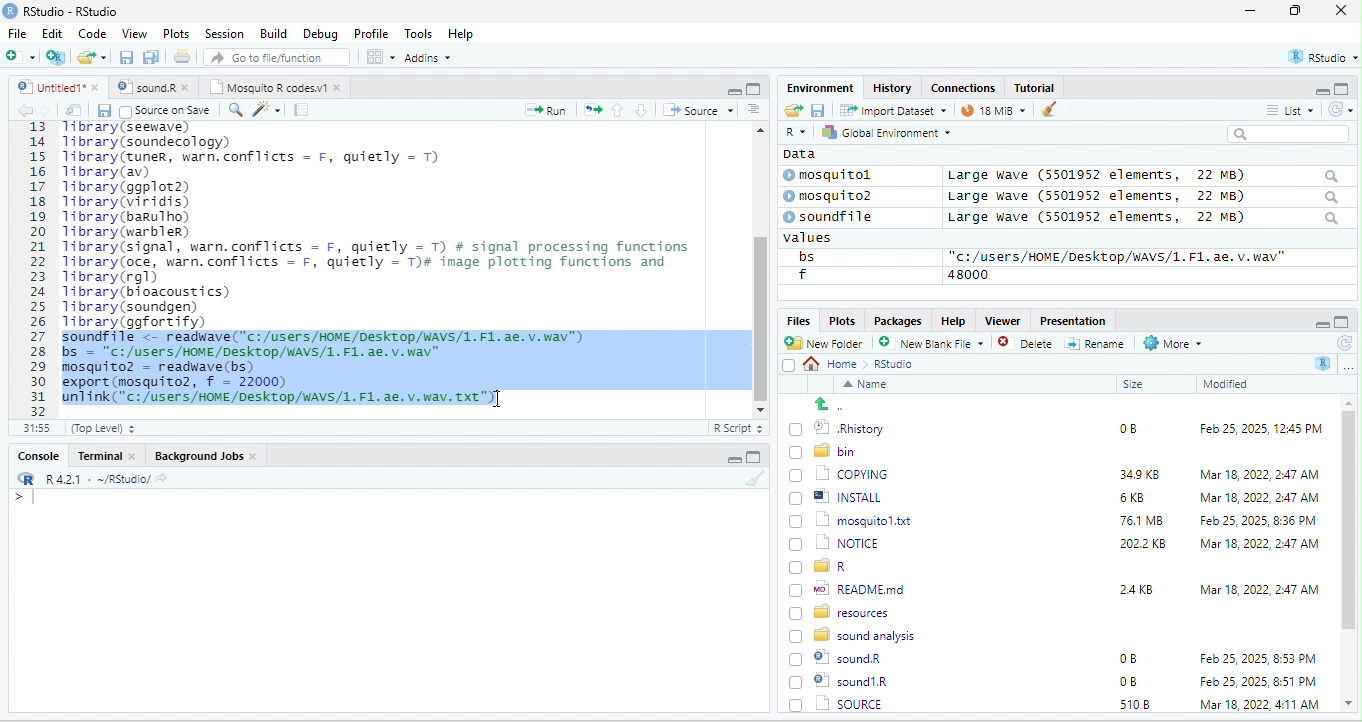 The height and width of the screenshot is (722, 1362). Describe the element at coordinates (1259, 588) in the screenshot. I see `Mar 18, 2022, 2:47 AM` at that location.